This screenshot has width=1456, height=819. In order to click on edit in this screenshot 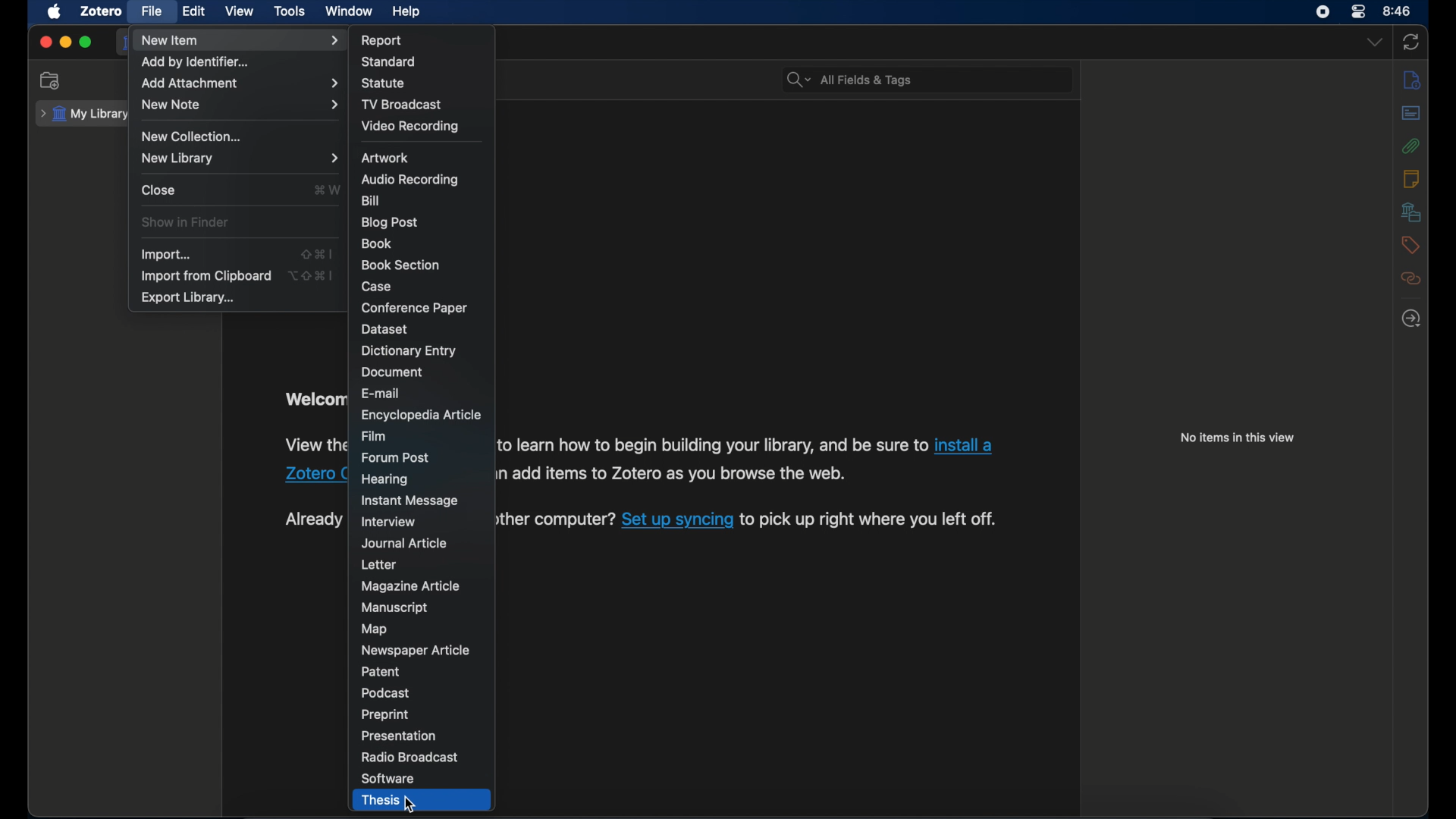, I will do `click(194, 11)`.